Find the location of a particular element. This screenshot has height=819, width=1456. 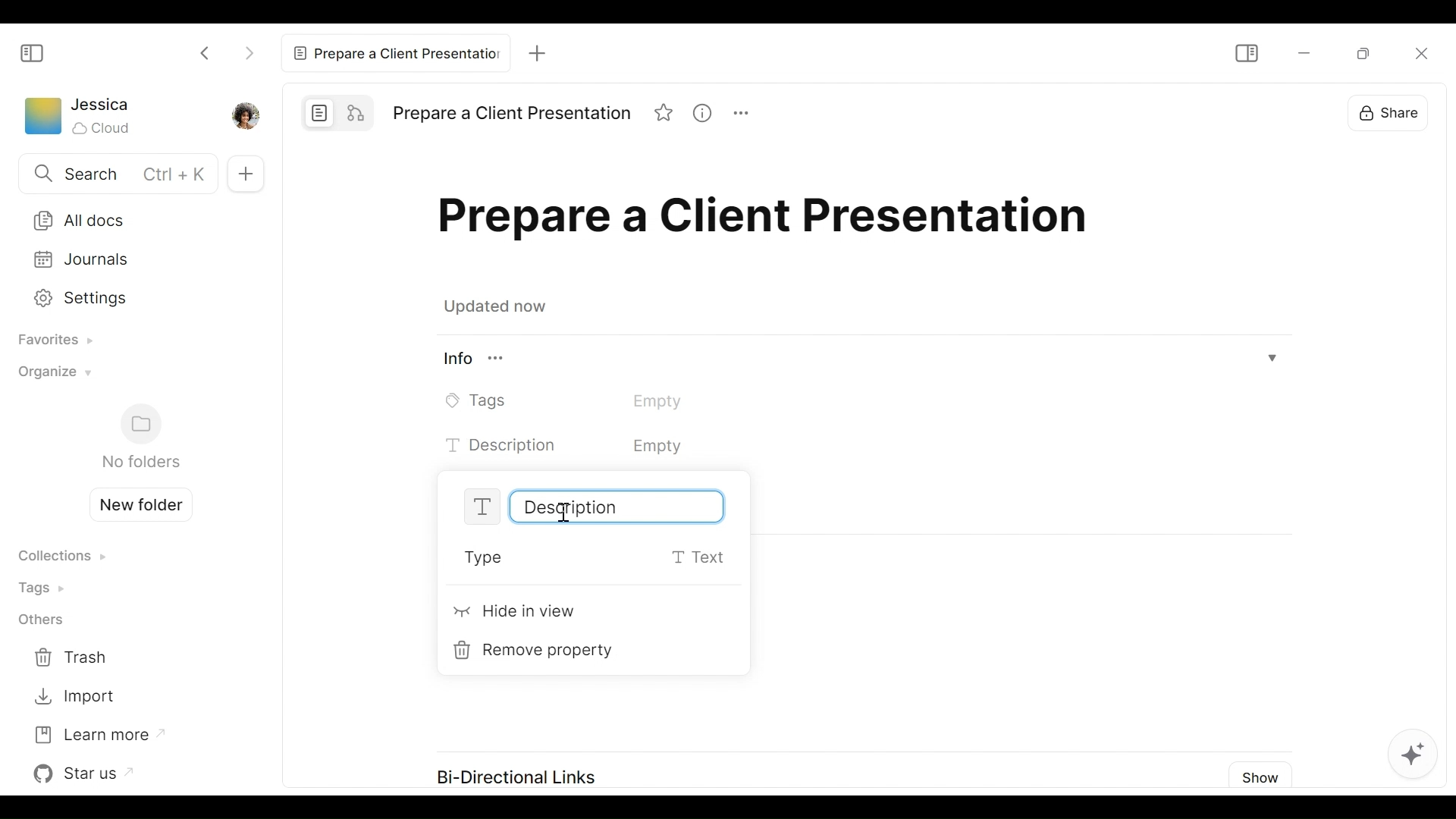

Favorites is located at coordinates (50, 341).